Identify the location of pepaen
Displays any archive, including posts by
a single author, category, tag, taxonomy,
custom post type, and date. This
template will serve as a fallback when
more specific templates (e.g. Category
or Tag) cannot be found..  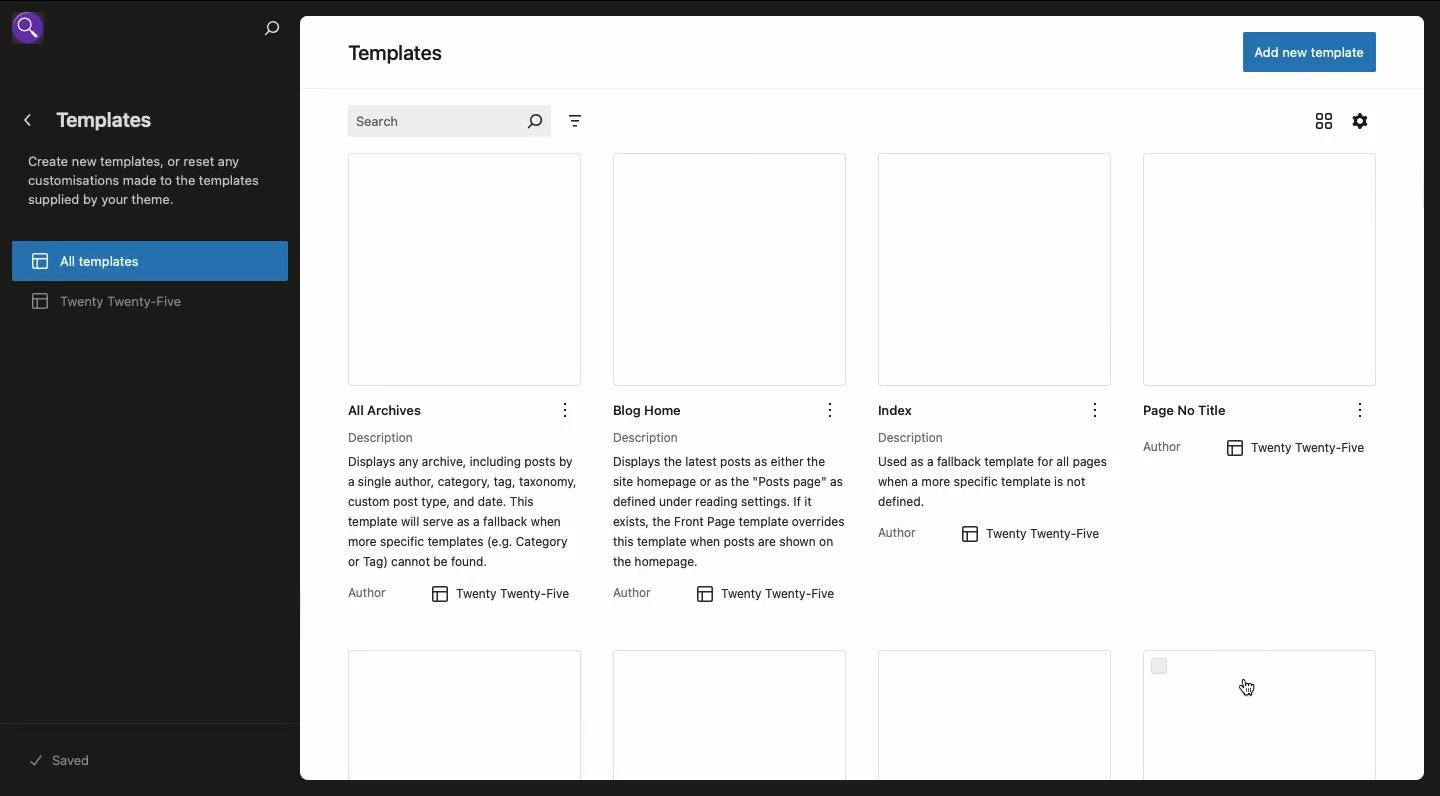
(457, 503).